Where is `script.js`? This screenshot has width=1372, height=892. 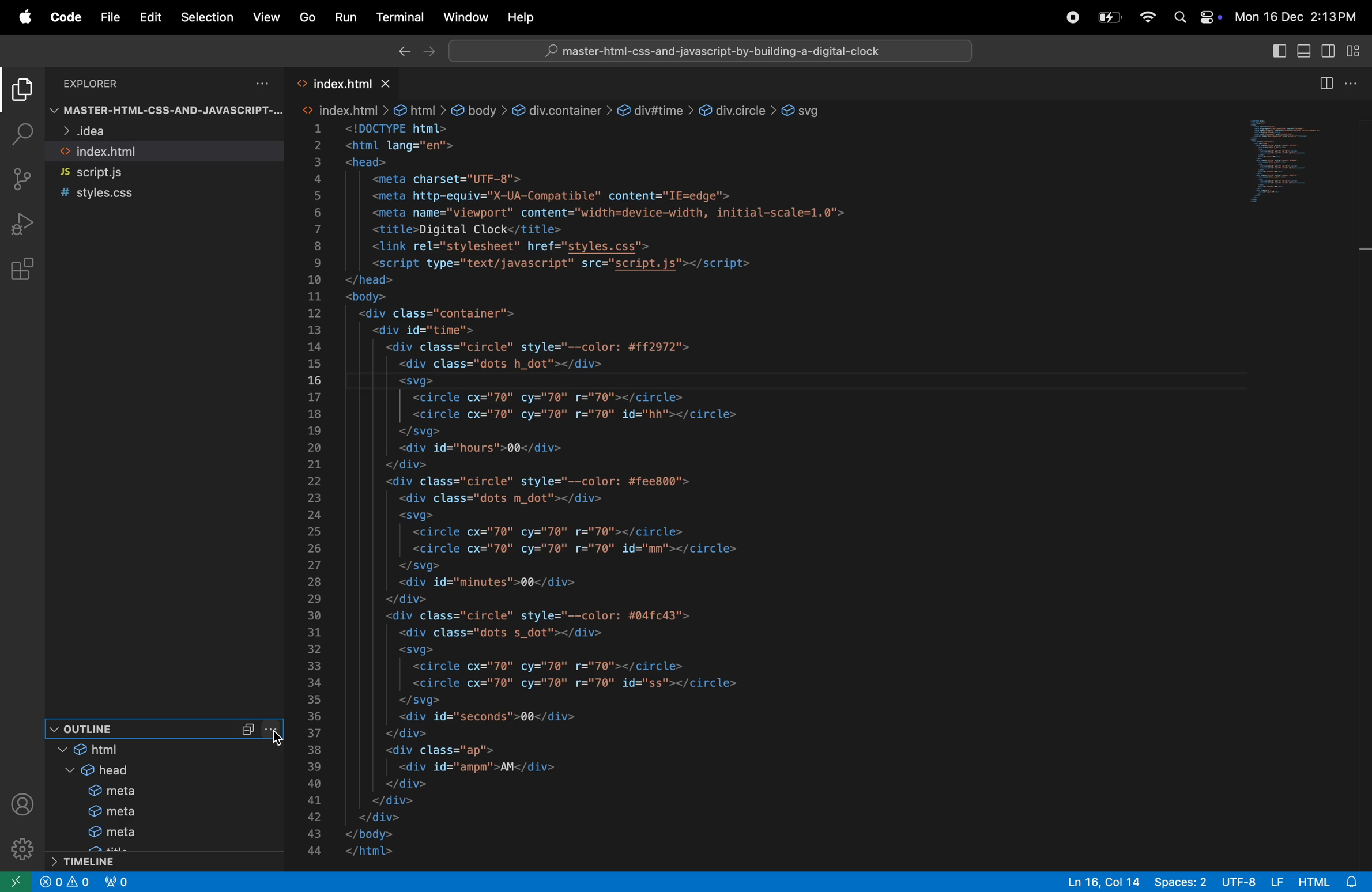
script.js is located at coordinates (161, 173).